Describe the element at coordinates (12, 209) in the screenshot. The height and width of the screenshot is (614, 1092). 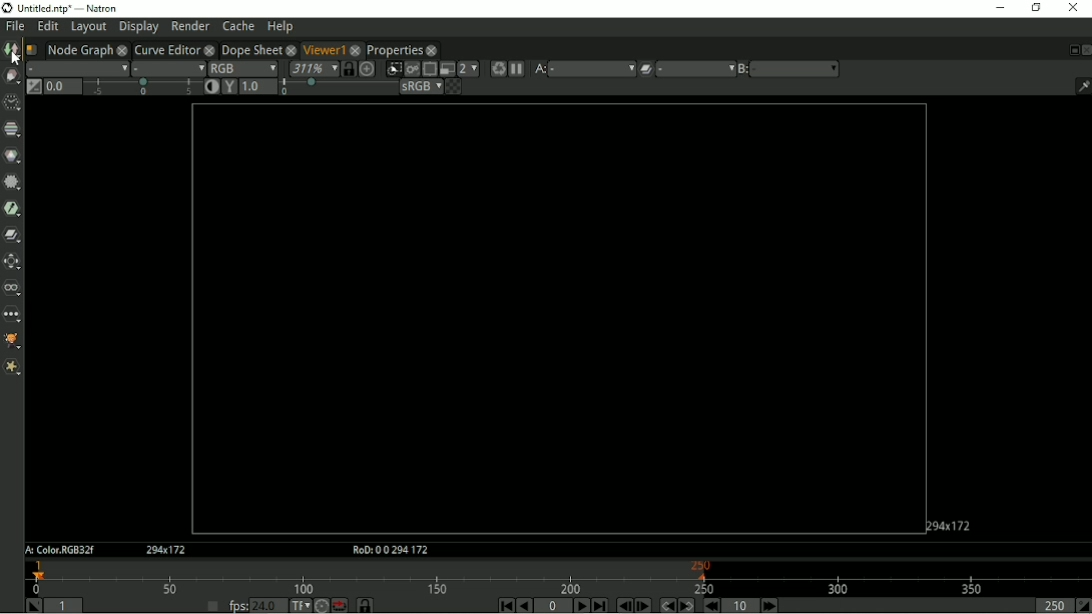
I see `Keyer` at that location.